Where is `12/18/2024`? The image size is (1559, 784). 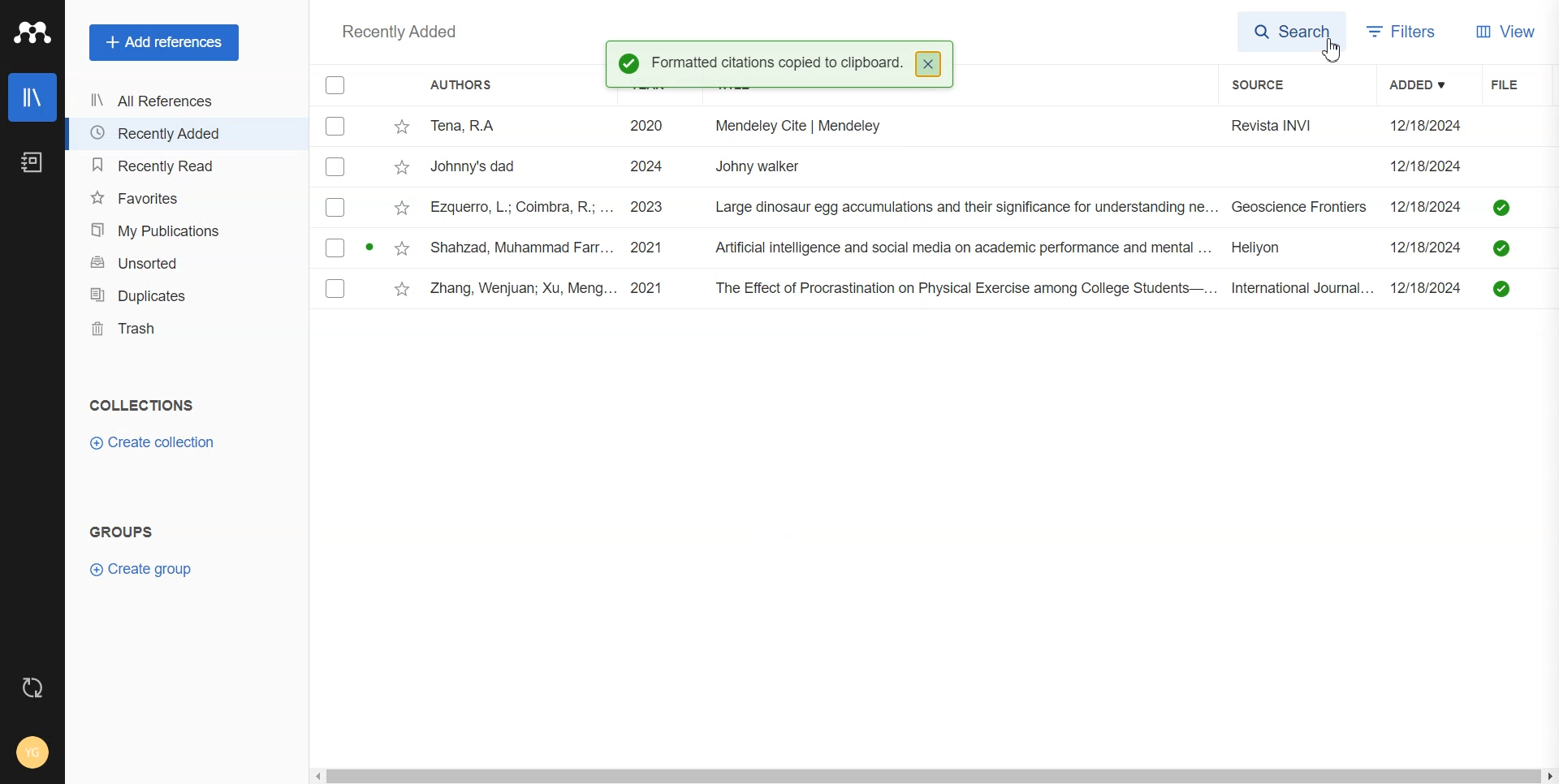
12/18/2024 is located at coordinates (1430, 288).